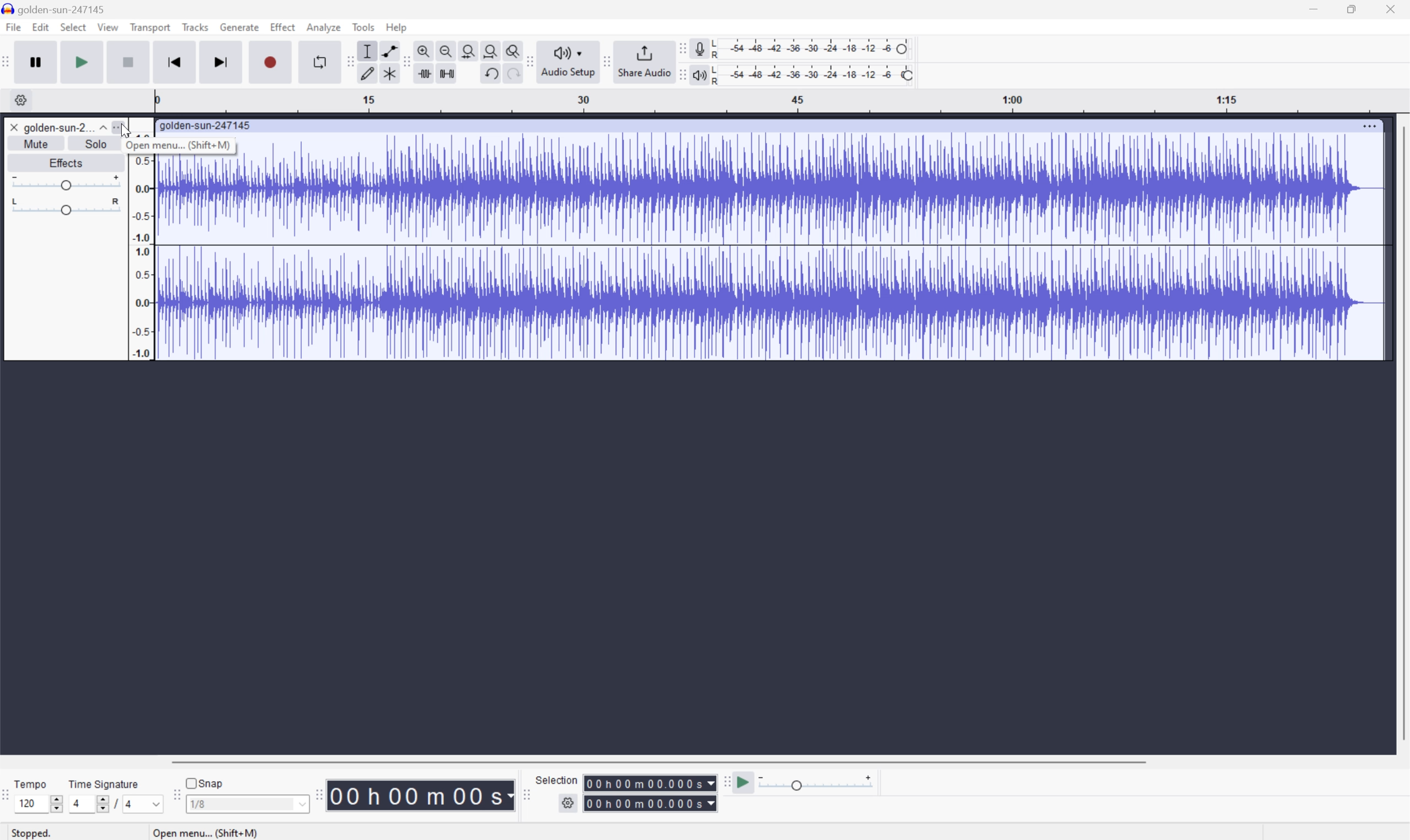 The image size is (1410, 840). I want to click on Skip to start, so click(176, 61).